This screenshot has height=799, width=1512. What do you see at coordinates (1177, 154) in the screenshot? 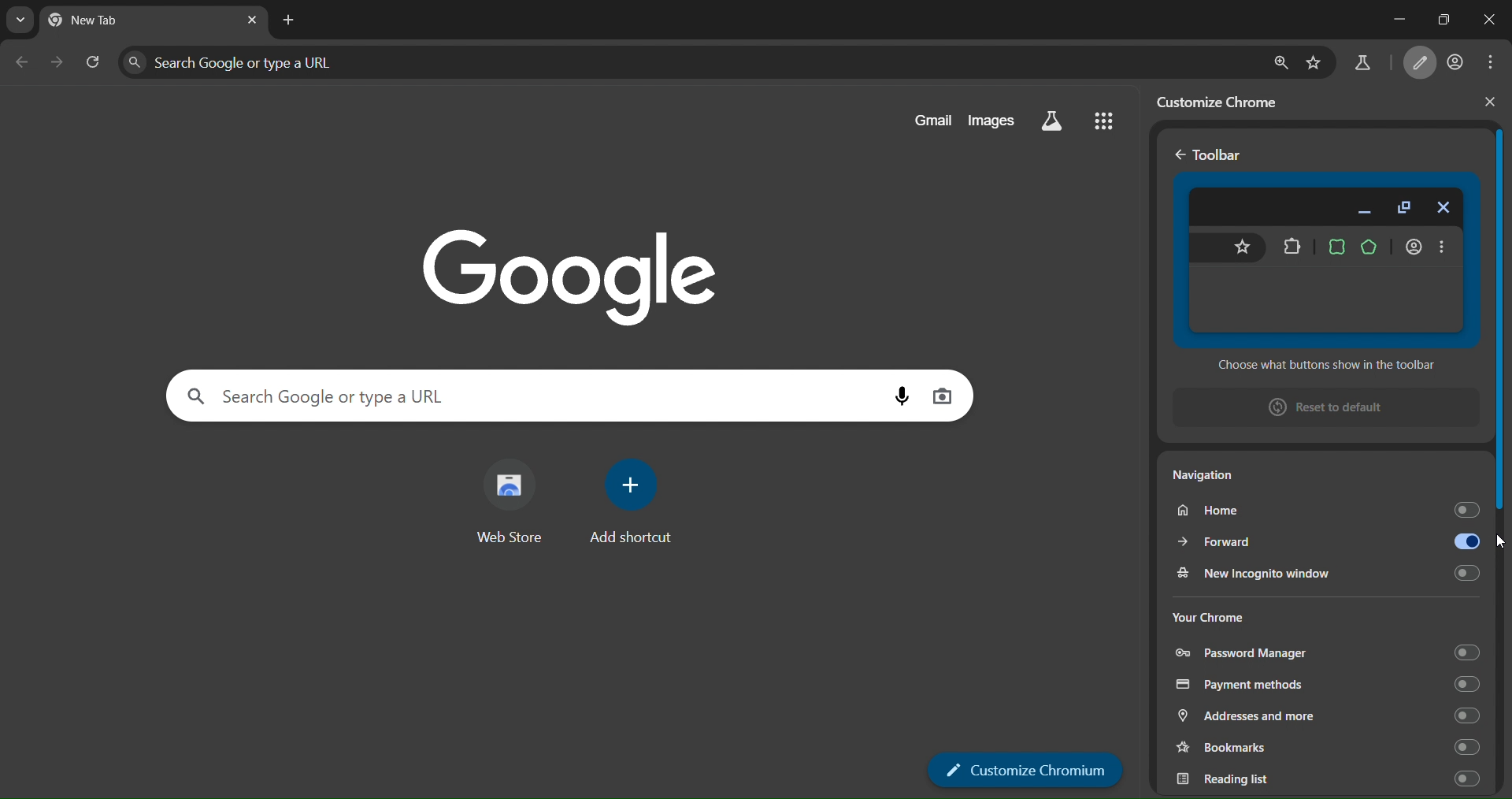
I see `back` at bounding box center [1177, 154].